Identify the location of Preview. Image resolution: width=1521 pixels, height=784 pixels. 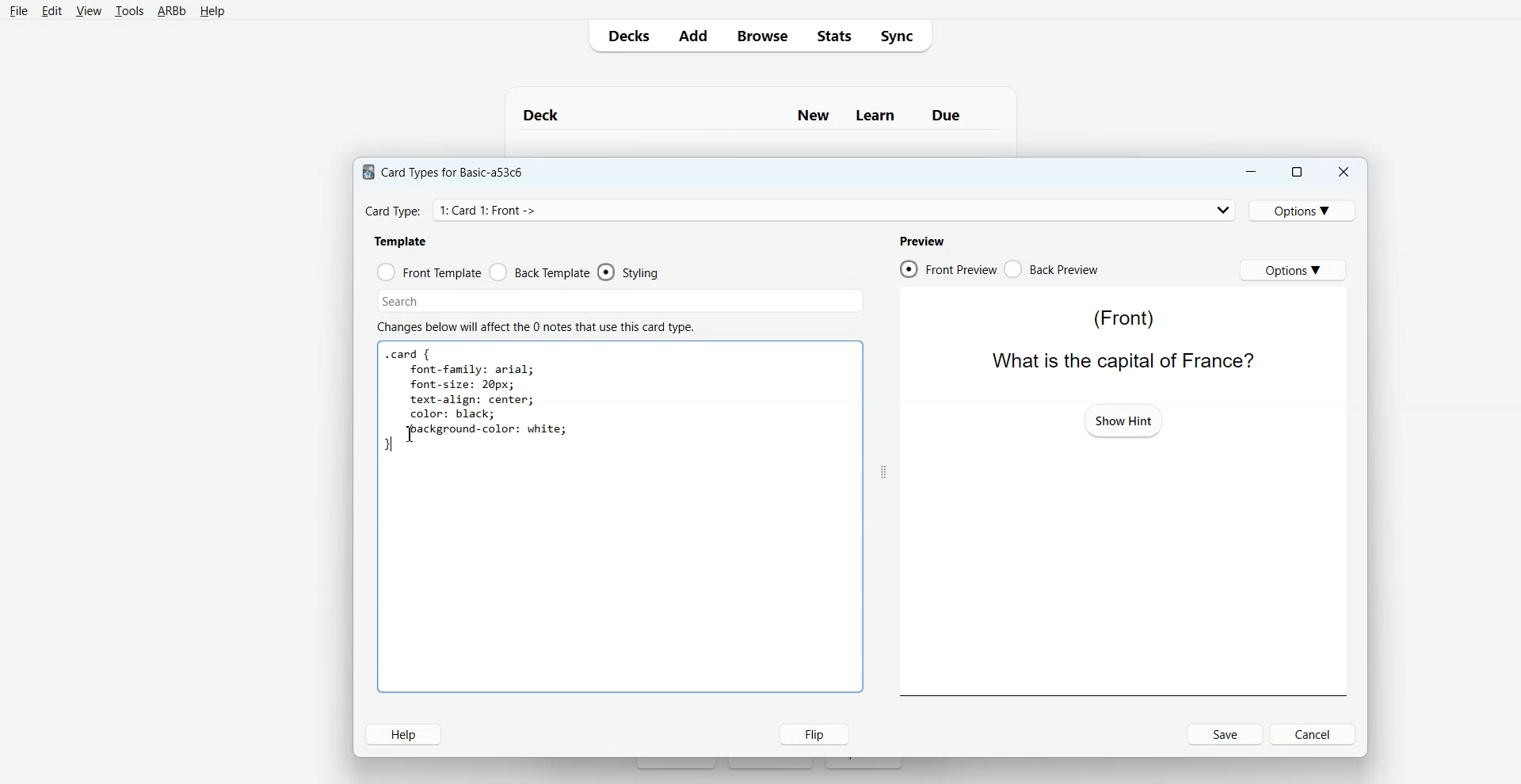
(921, 241).